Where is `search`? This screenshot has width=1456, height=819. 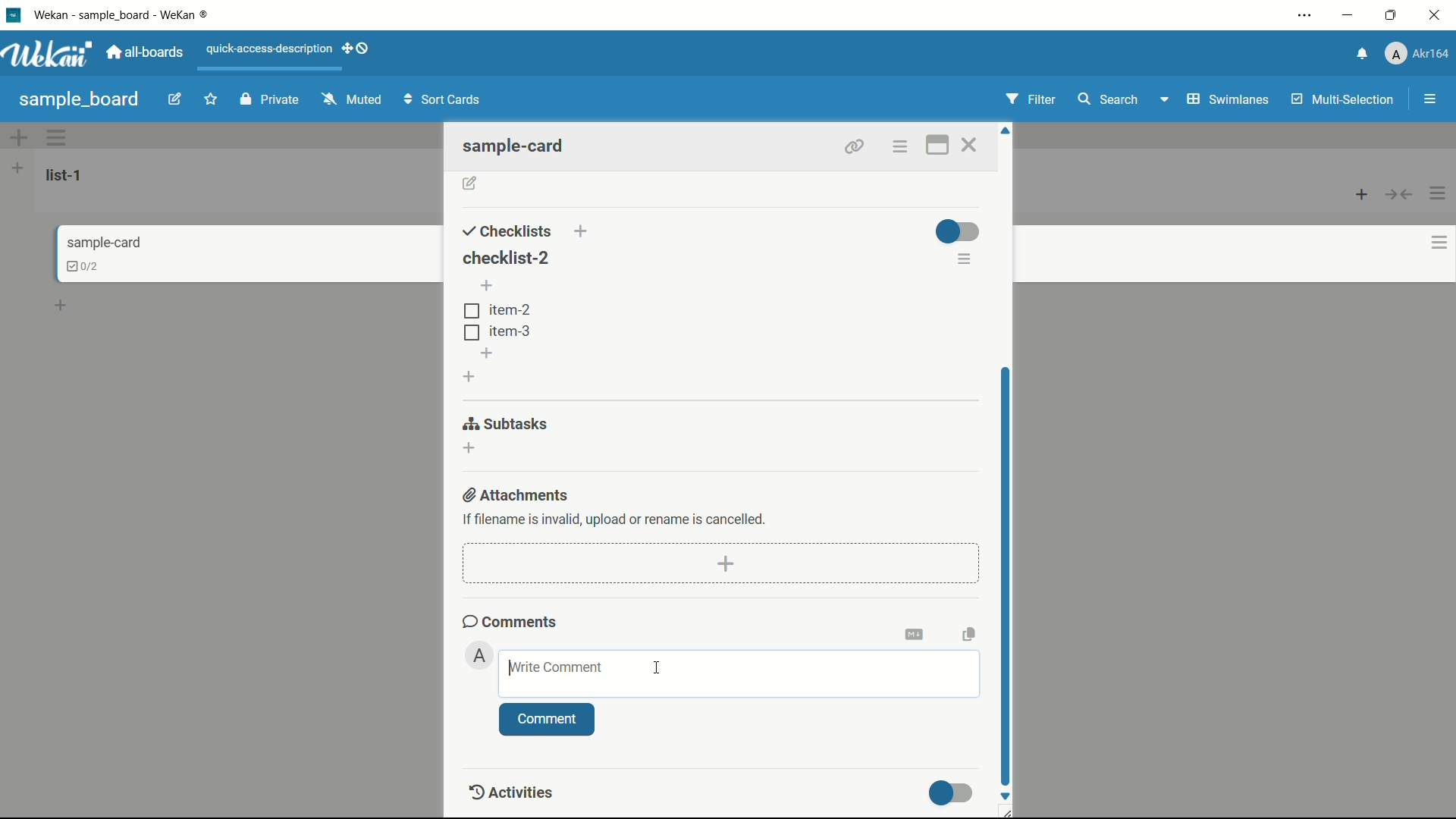
search is located at coordinates (1109, 99).